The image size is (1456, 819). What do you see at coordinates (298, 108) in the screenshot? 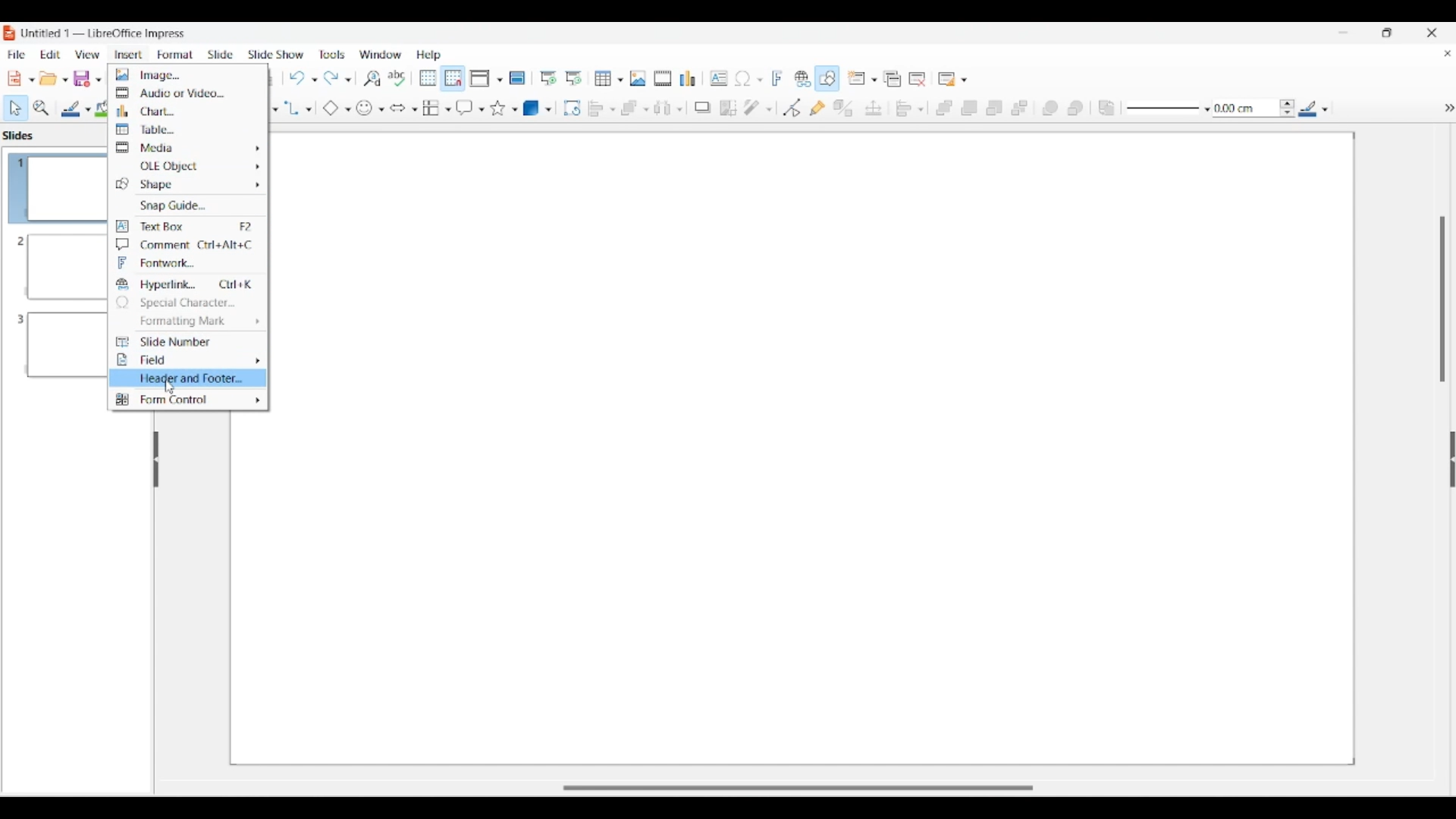
I see `Connector options` at bounding box center [298, 108].